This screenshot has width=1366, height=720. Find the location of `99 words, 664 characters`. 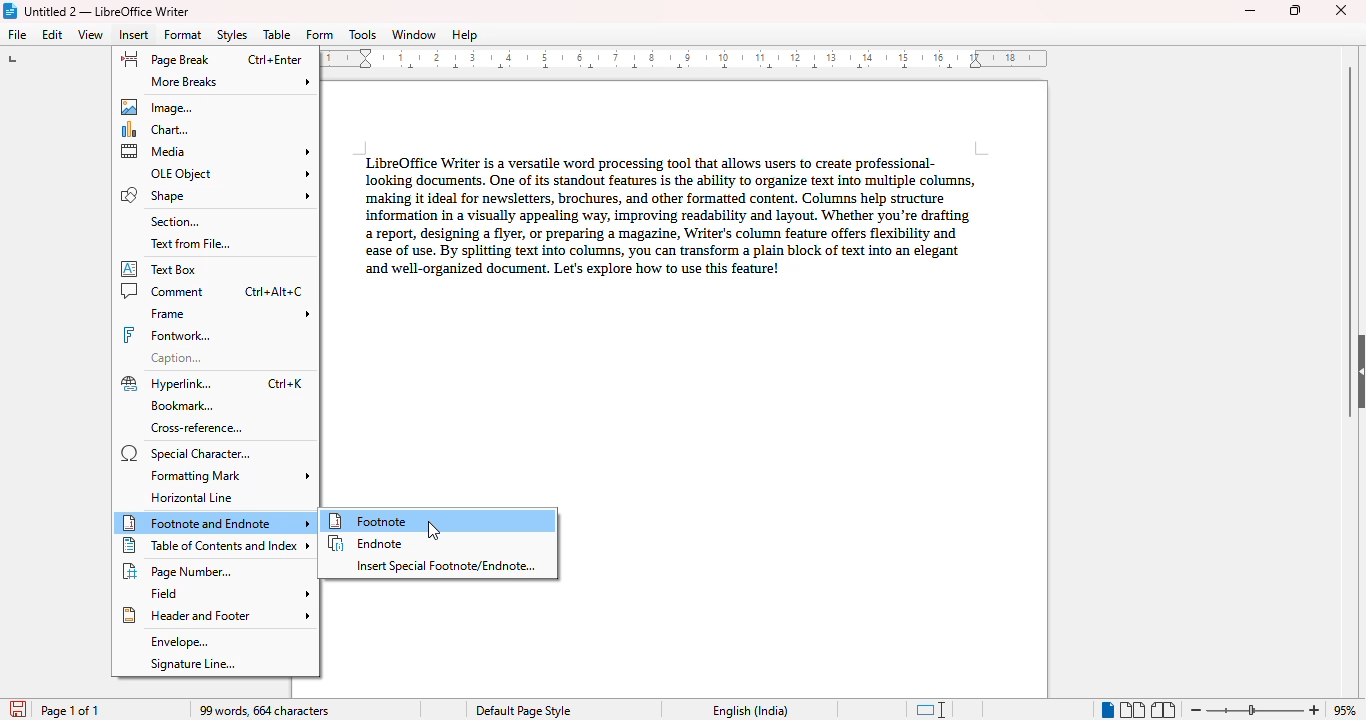

99 words, 664 characters is located at coordinates (263, 711).